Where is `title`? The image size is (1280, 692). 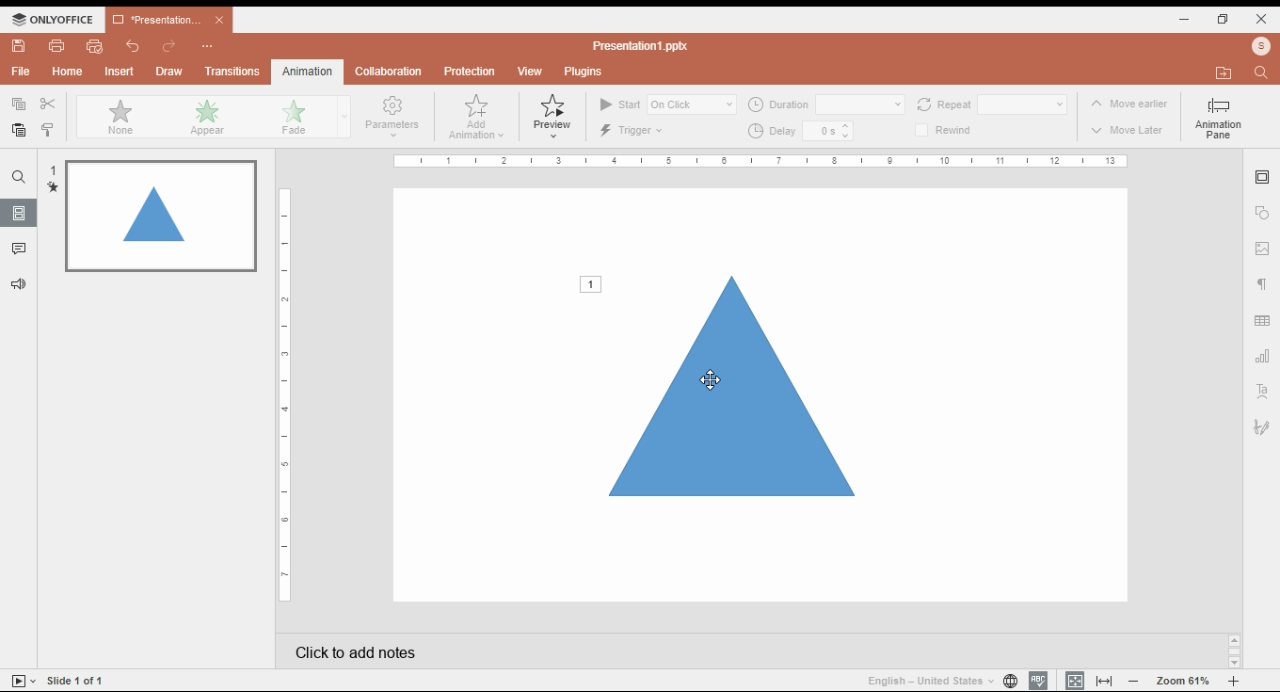 title is located at coordinates (641, 45).